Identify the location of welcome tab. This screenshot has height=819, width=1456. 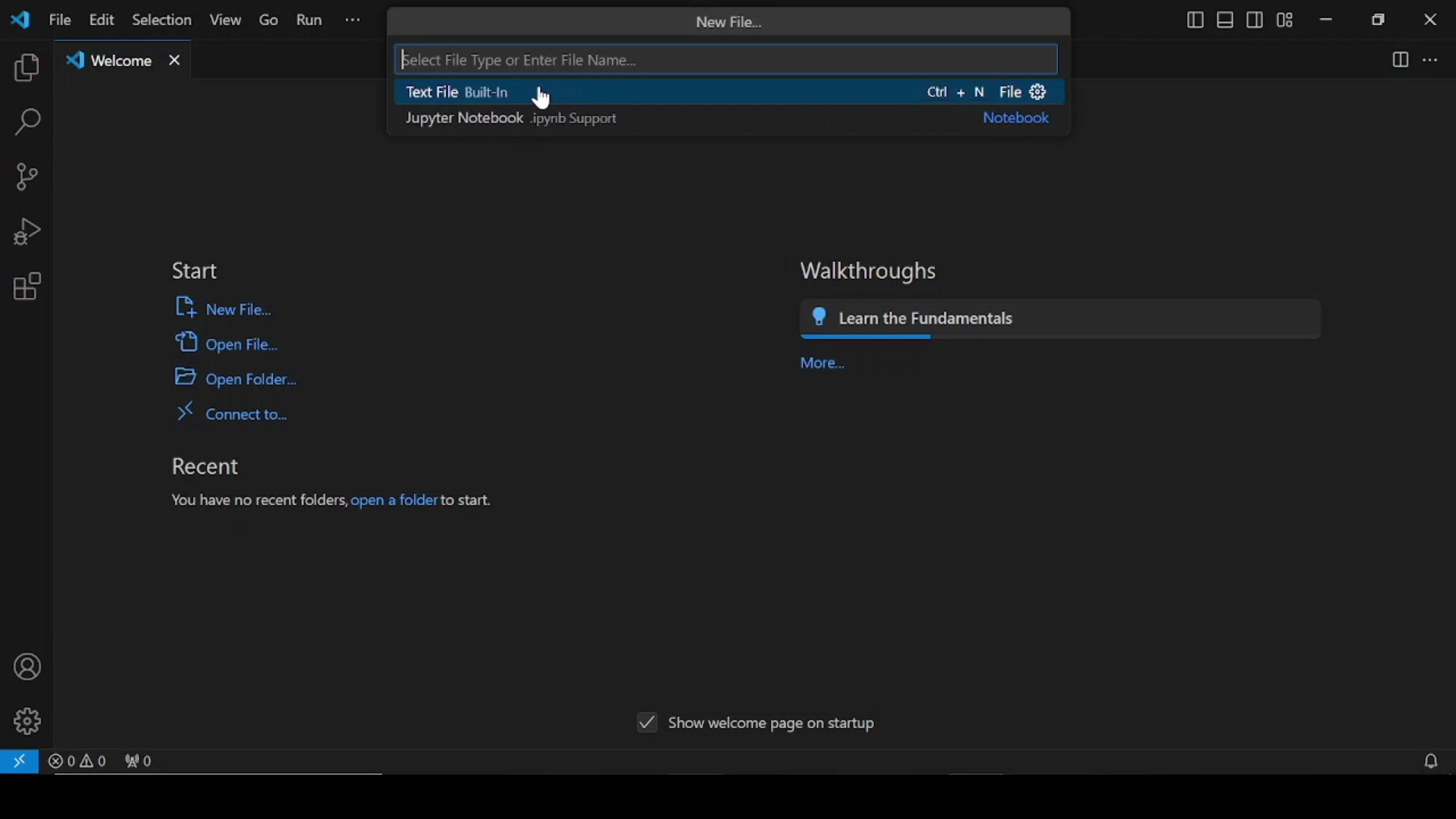
(124, 60).